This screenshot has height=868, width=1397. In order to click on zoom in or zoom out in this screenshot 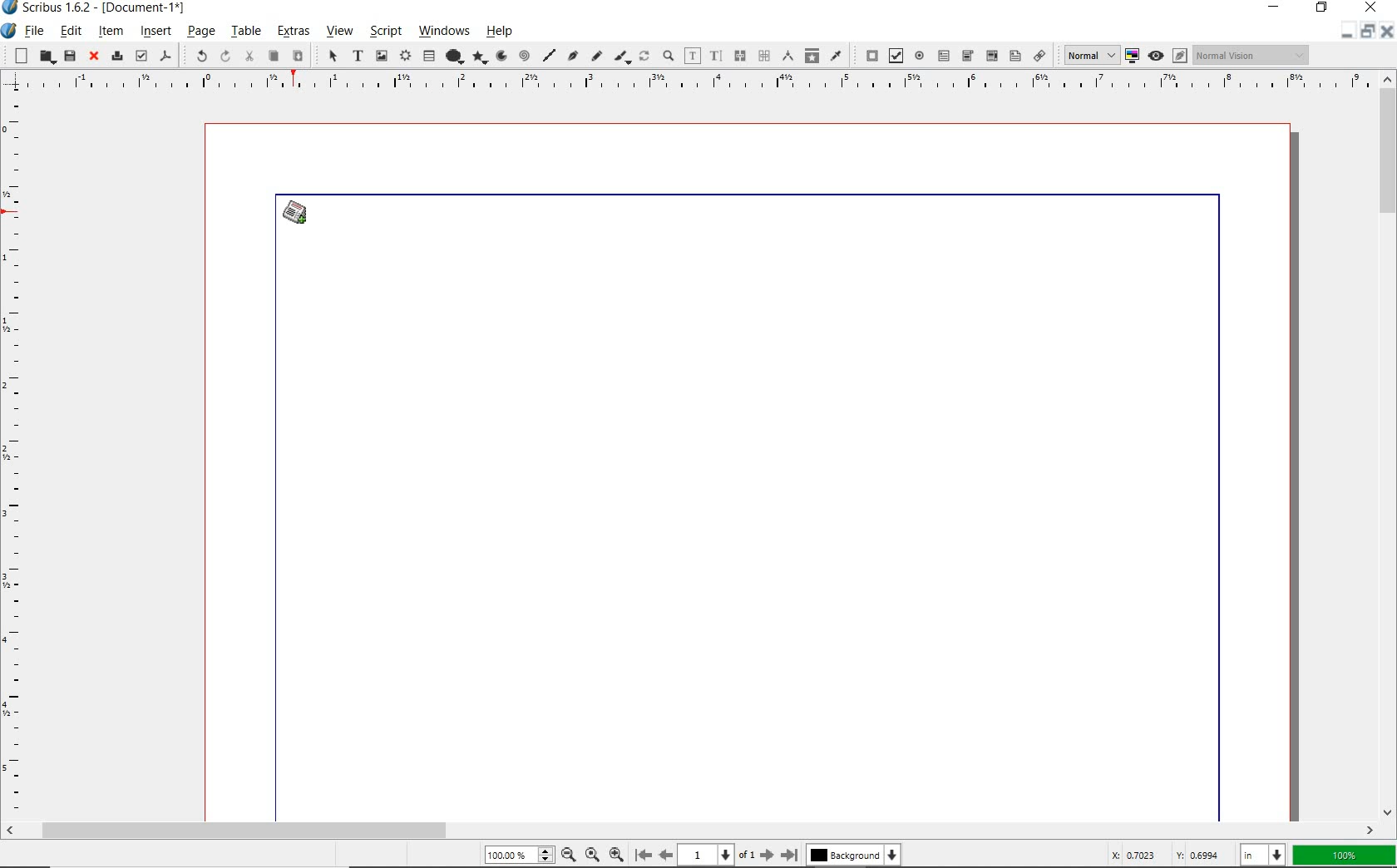, I will do `click(669, 54)`.